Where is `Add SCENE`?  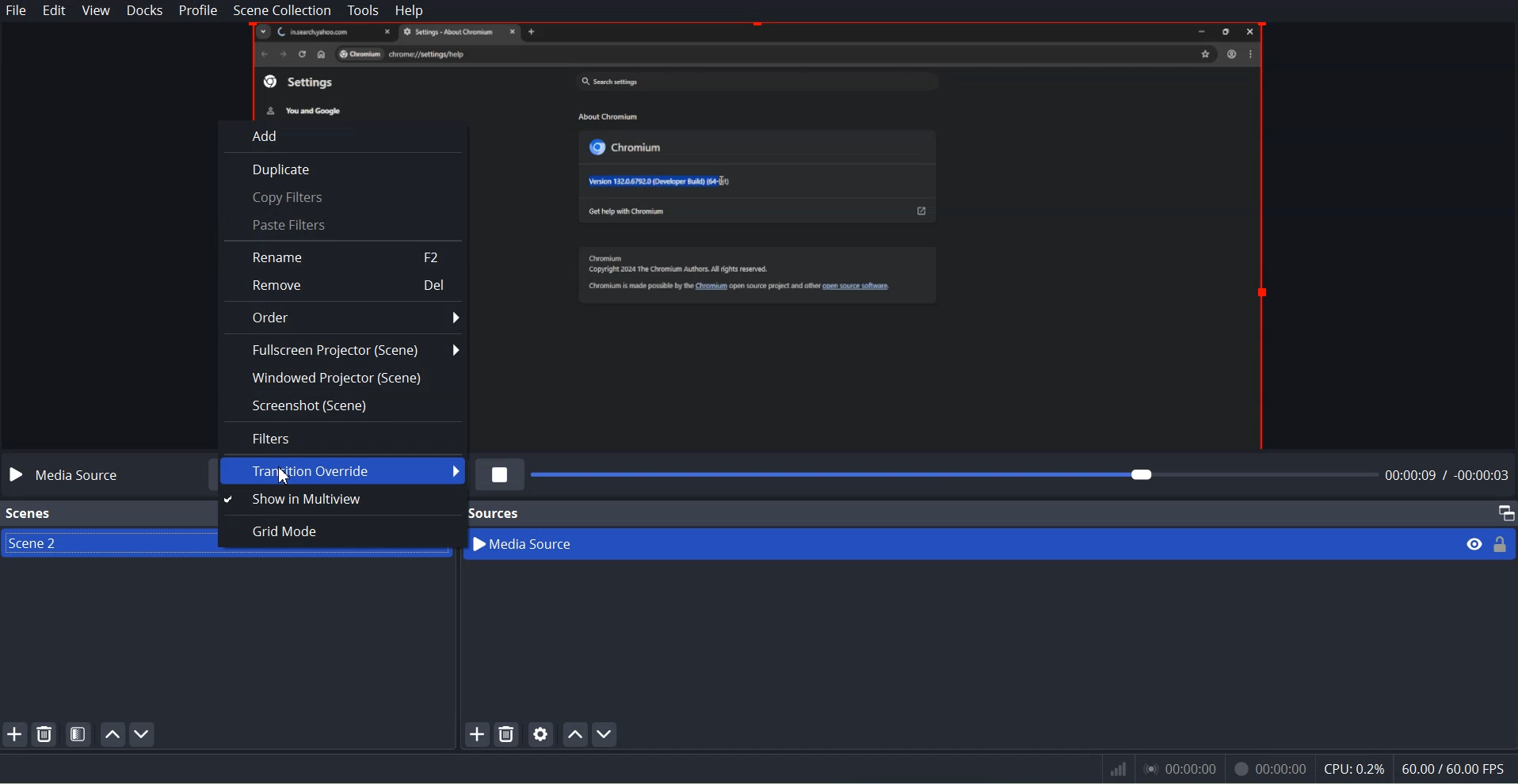 Add SCENE is located at coordinates (14, 733).